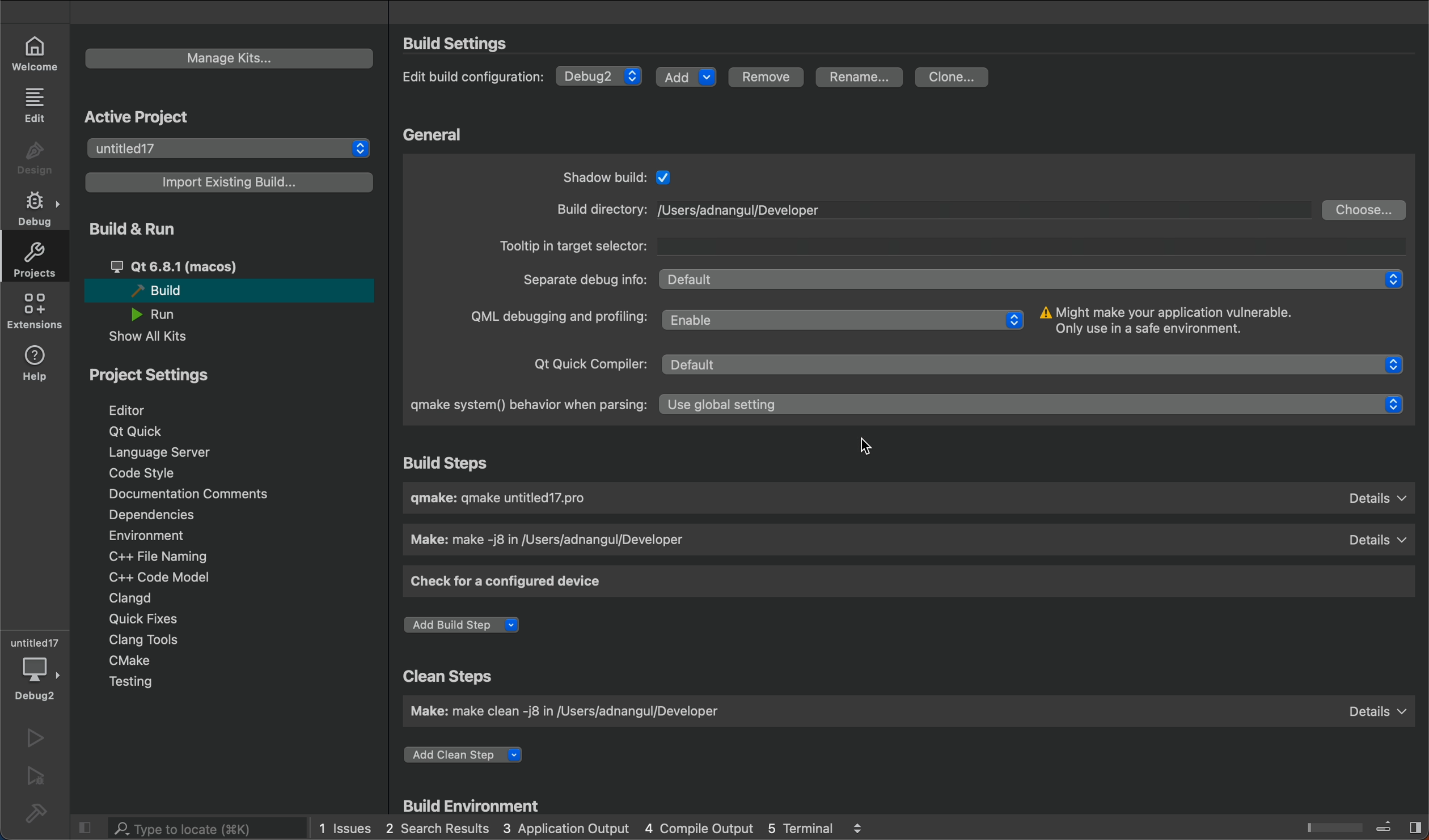  I want to click on search, so click(188, 829).